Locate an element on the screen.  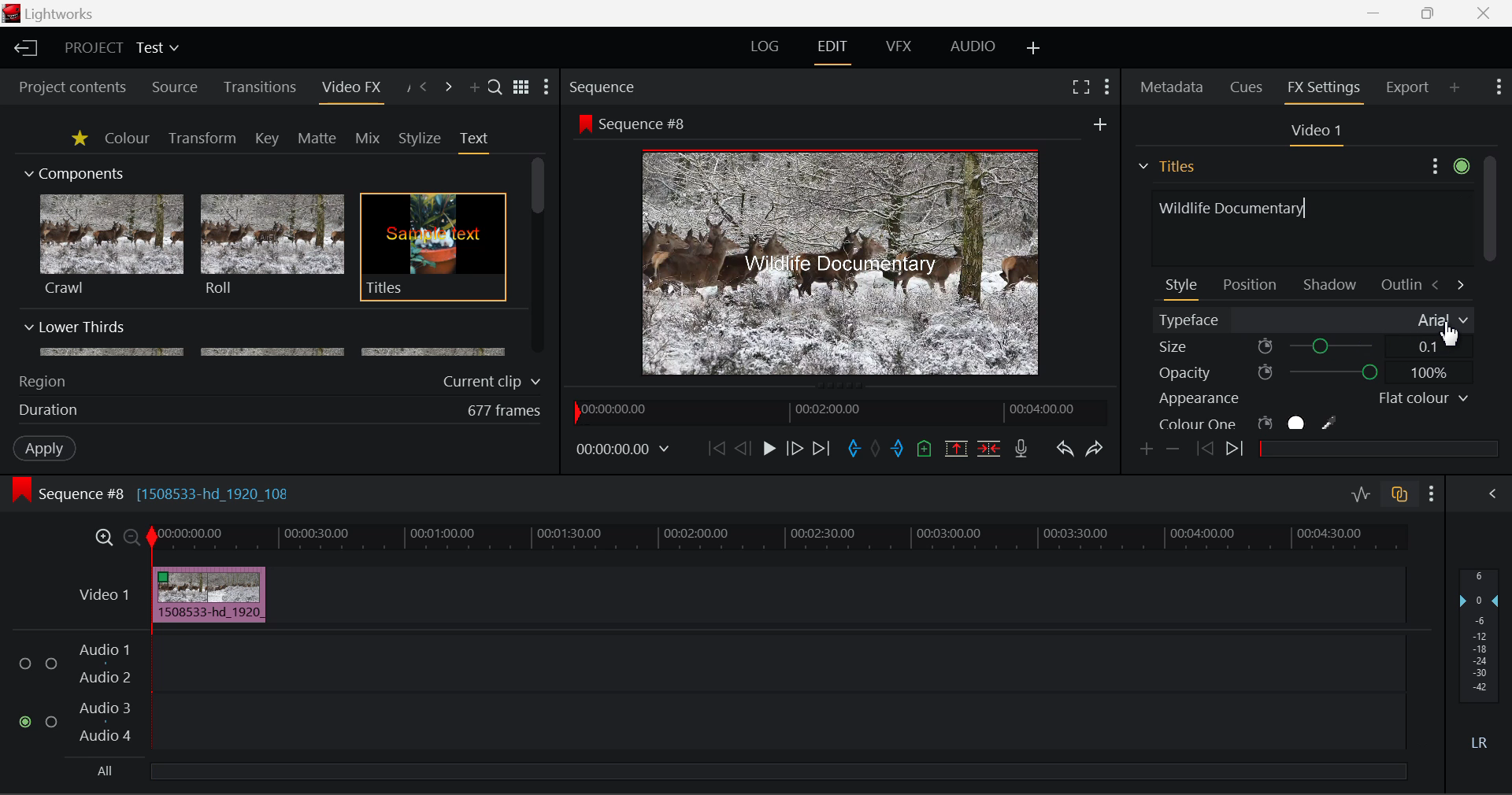
Matte is located at coordinates (316, 138).